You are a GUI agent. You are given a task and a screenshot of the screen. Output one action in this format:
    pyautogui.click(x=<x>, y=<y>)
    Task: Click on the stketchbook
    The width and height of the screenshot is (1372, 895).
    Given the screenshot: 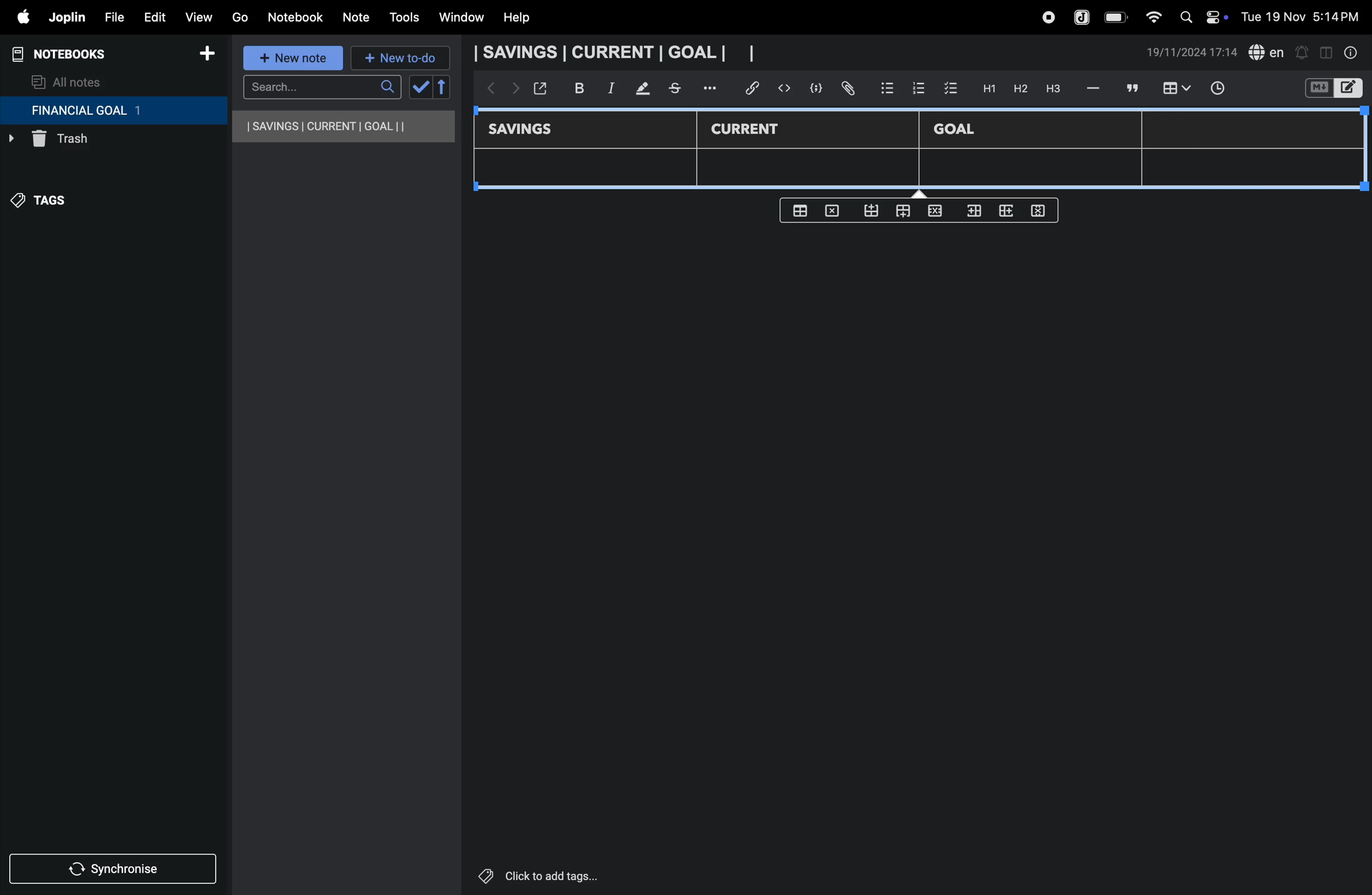 What is the action you would take?
    pyautogui.click(x=676, y=90)
    